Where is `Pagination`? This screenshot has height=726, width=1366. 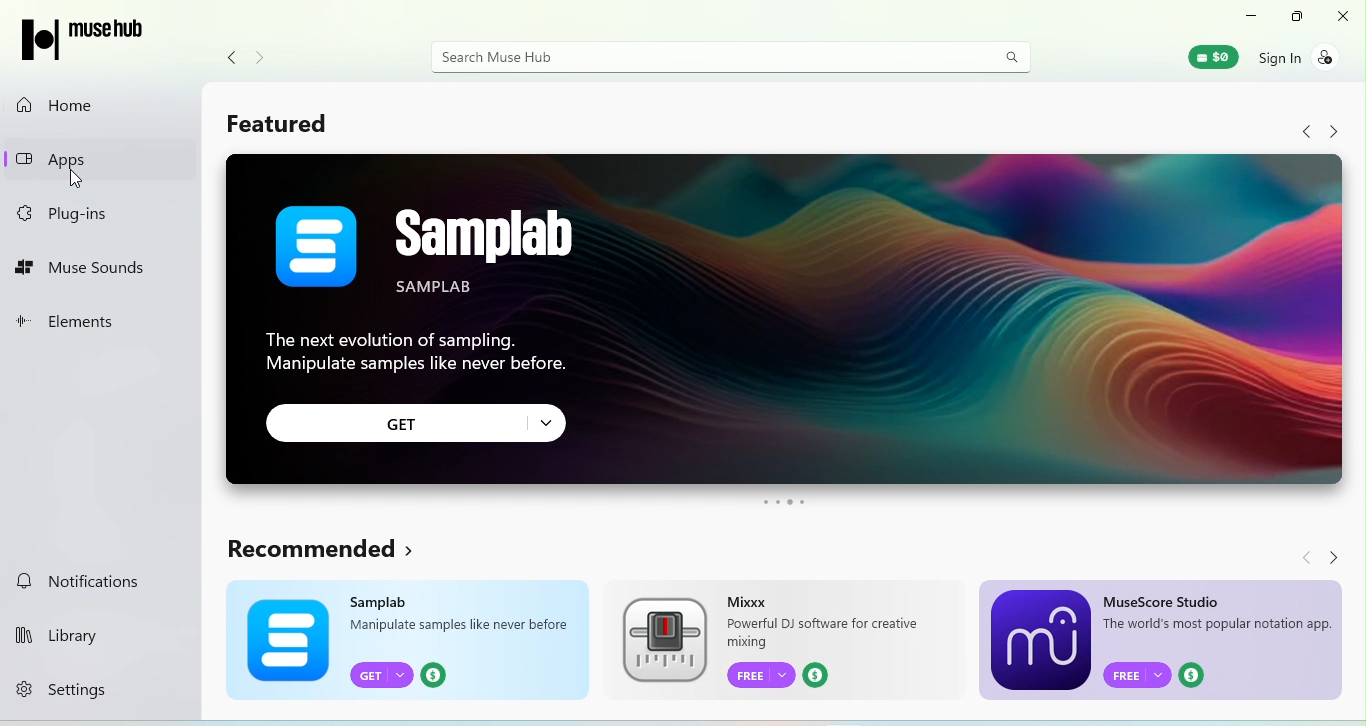
Pagination is located at coordinates (782, 502).